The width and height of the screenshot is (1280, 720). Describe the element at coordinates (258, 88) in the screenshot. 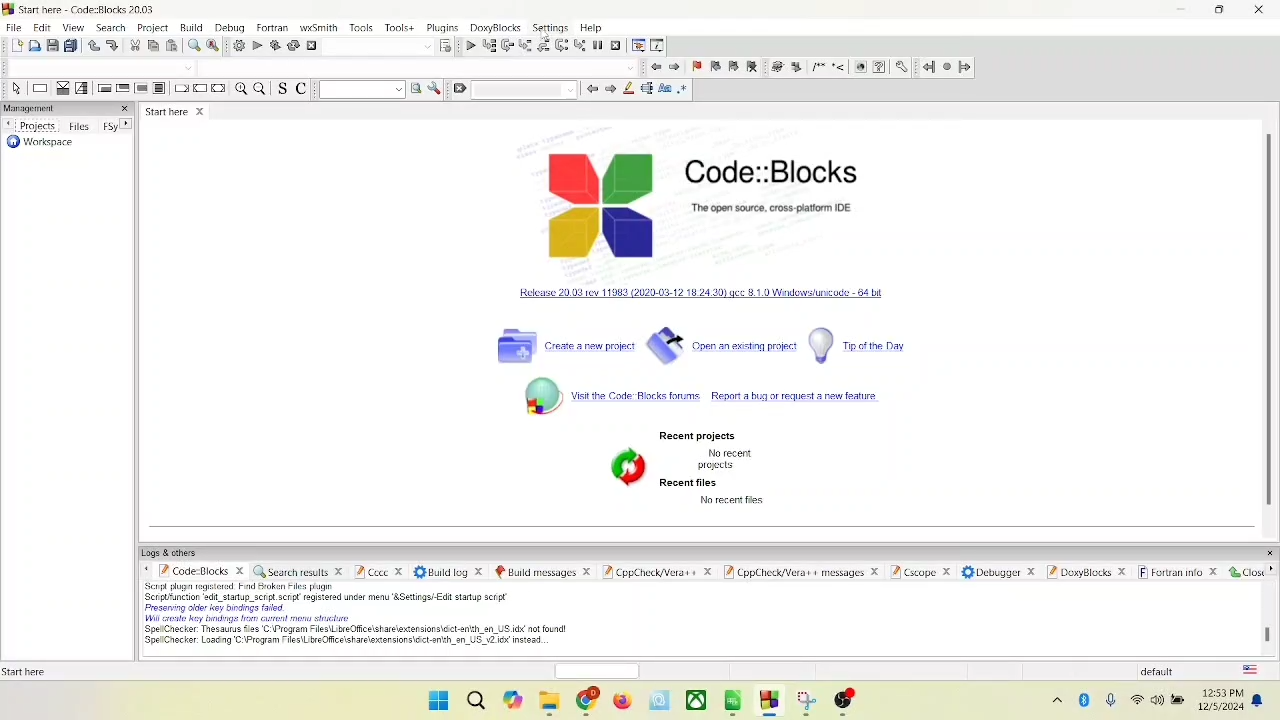

I see `zoom out` at that location.